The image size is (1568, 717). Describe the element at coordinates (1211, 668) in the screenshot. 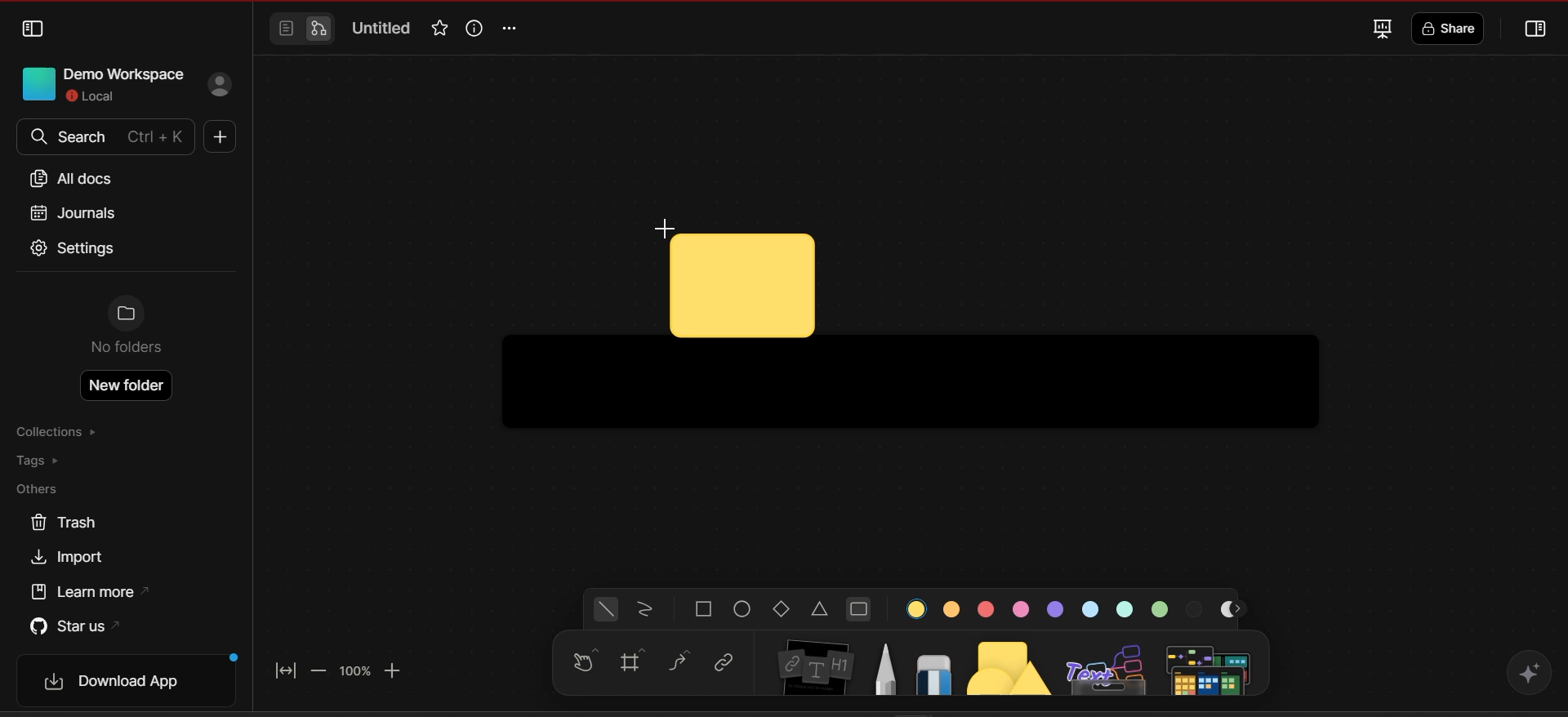

I see `additional tools` at that location.